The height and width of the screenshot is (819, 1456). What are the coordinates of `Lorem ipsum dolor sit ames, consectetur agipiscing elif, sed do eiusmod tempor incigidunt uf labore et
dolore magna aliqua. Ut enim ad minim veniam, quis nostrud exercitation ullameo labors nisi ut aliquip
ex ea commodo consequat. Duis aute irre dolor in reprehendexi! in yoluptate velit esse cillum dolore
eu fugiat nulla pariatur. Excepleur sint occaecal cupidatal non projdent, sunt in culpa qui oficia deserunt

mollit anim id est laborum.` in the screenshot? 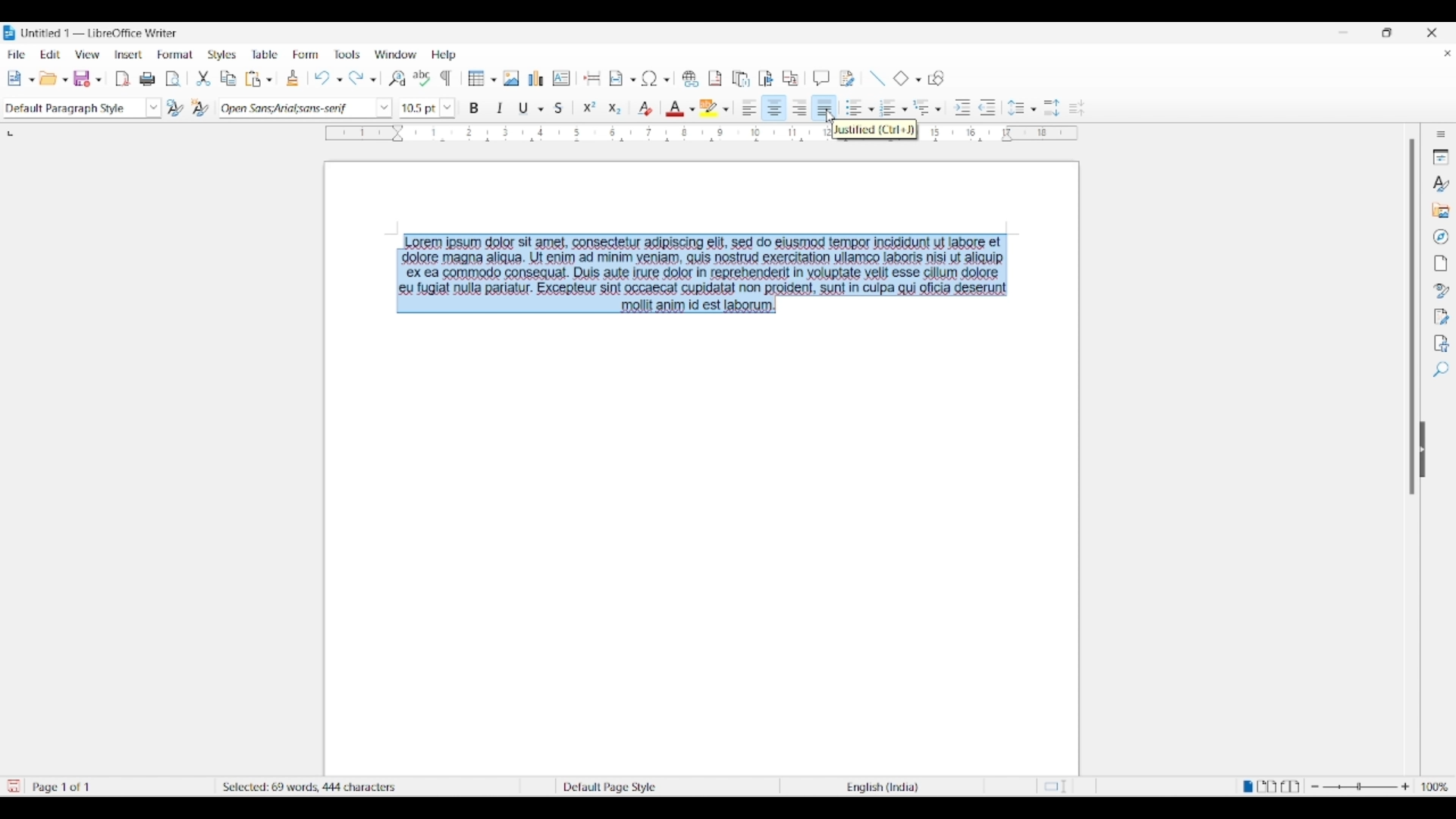 It's located at (712, 275).